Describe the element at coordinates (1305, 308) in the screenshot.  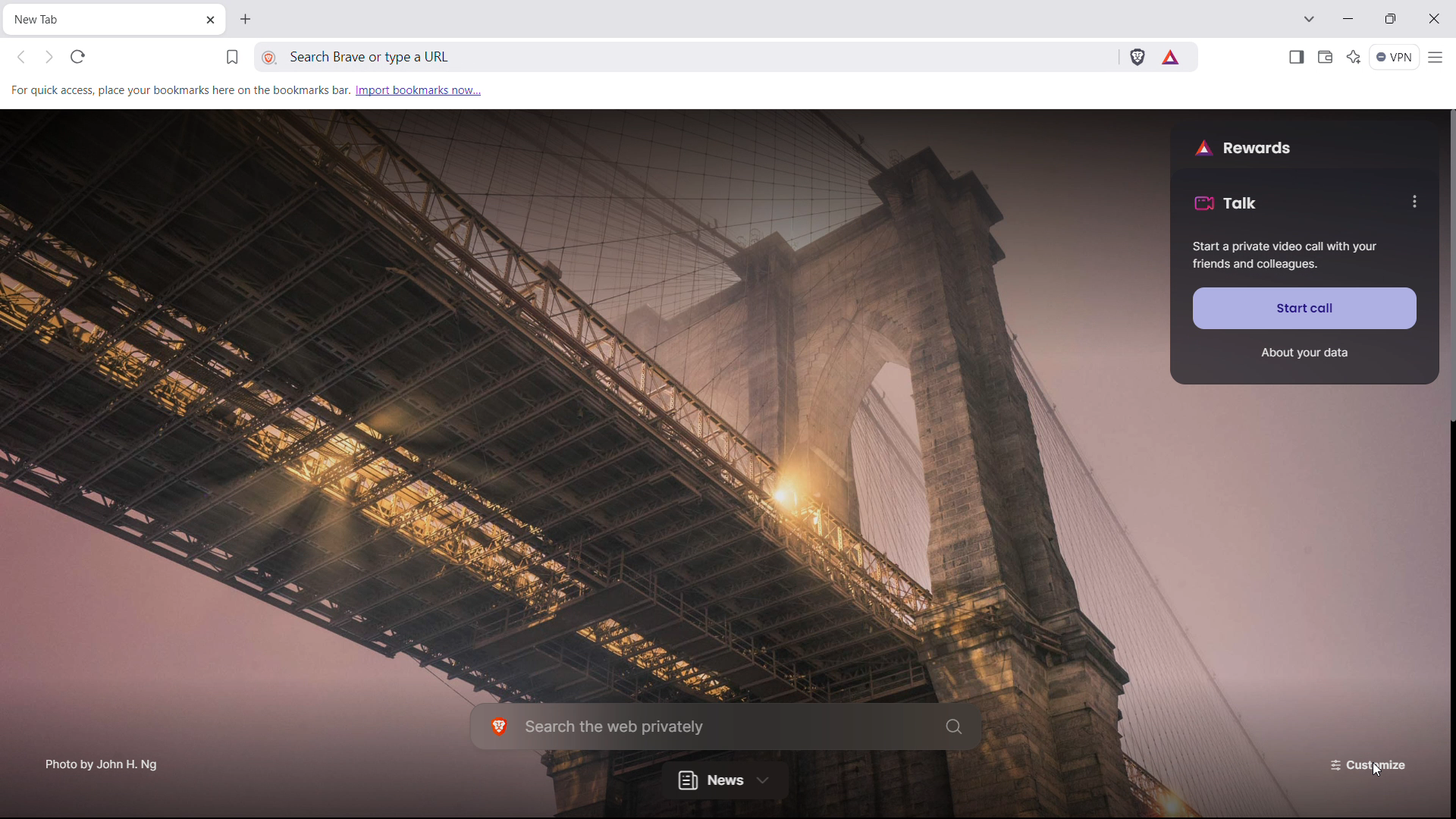
I see `start call` at that location.